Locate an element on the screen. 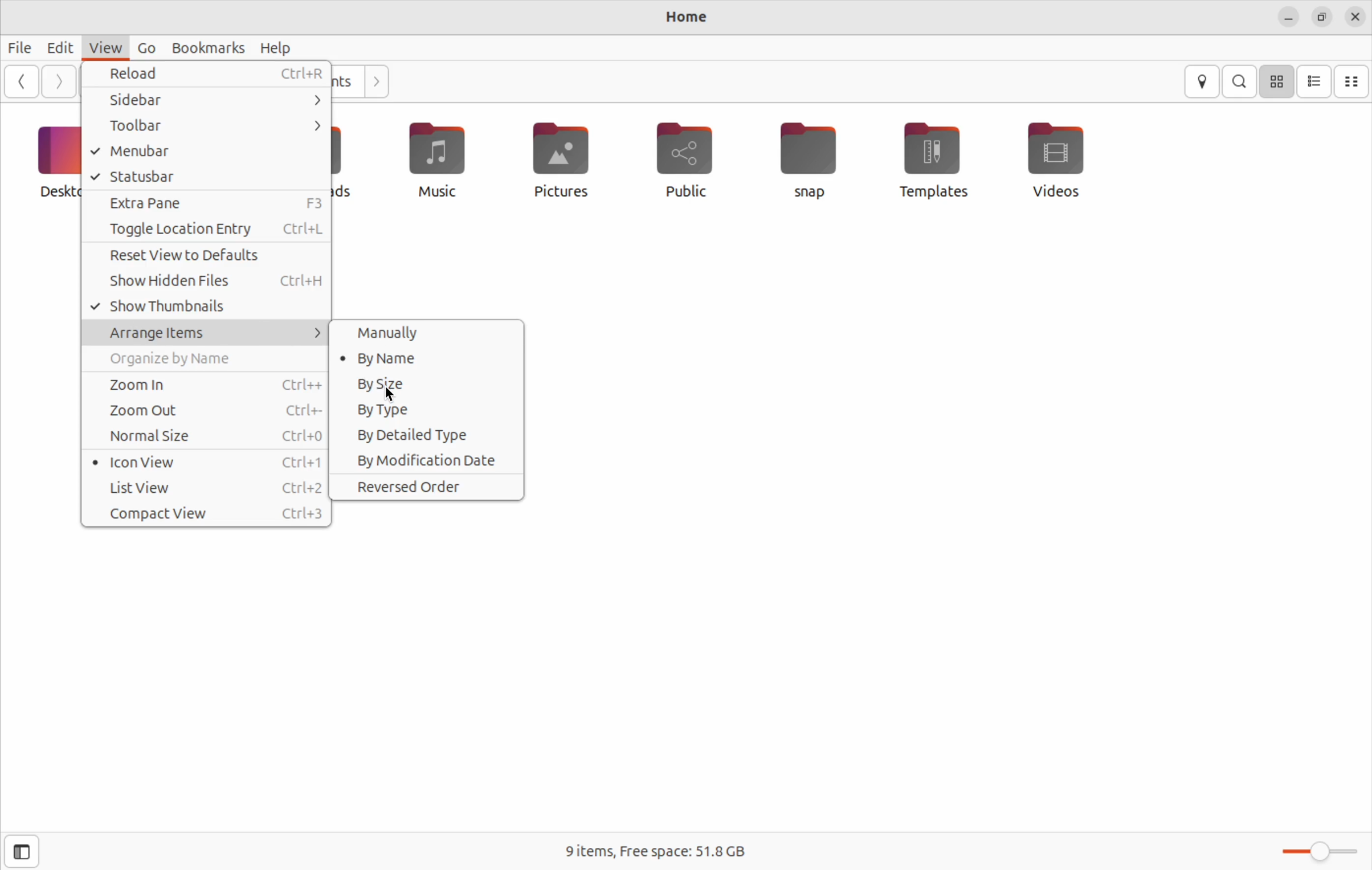 The width and height of the screenshot is (1372, 870). home is located at coordinates (690, 18).